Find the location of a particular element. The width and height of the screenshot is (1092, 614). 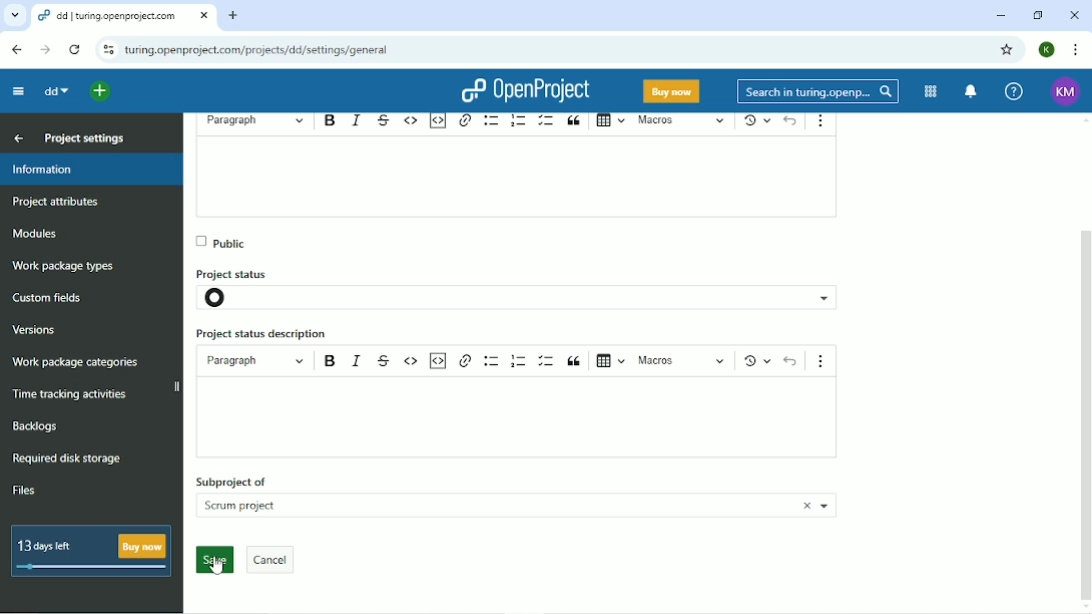

hyperlink is located at coordinates (467, 121).